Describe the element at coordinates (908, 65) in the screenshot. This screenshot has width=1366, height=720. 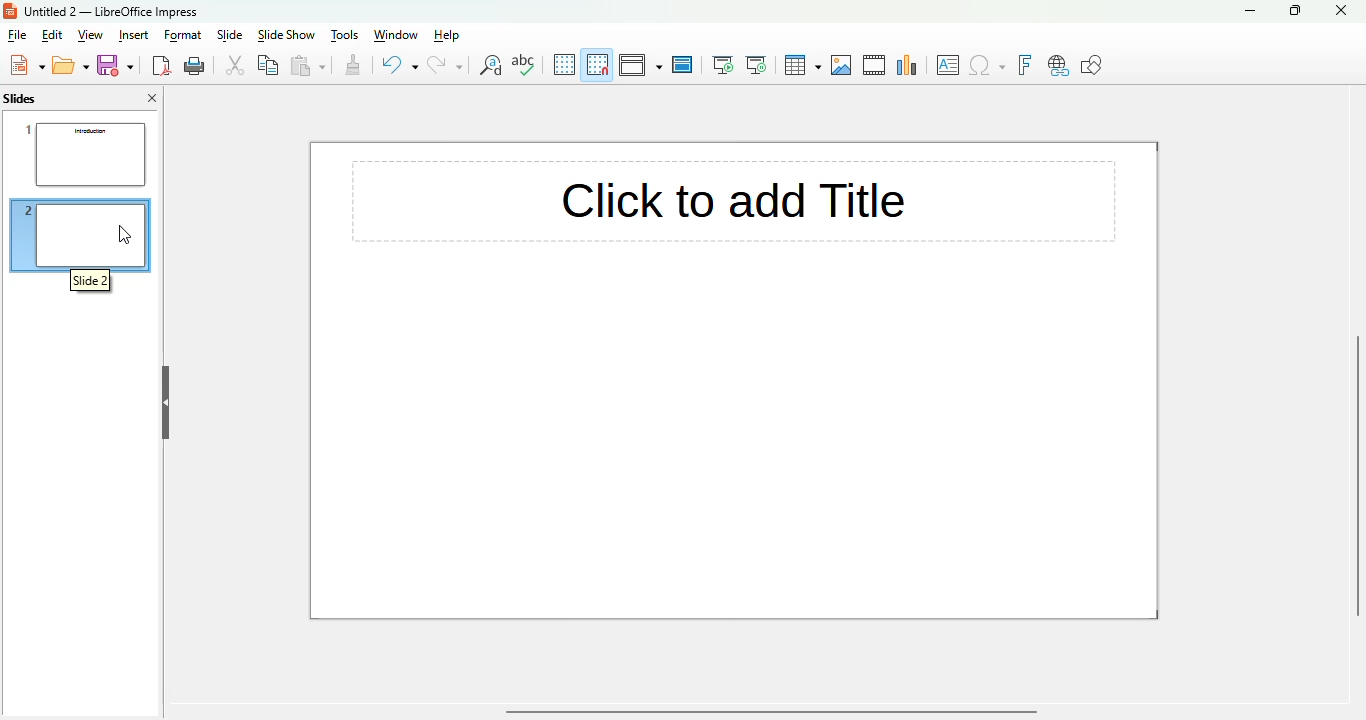
I see `insert chart` at that location.